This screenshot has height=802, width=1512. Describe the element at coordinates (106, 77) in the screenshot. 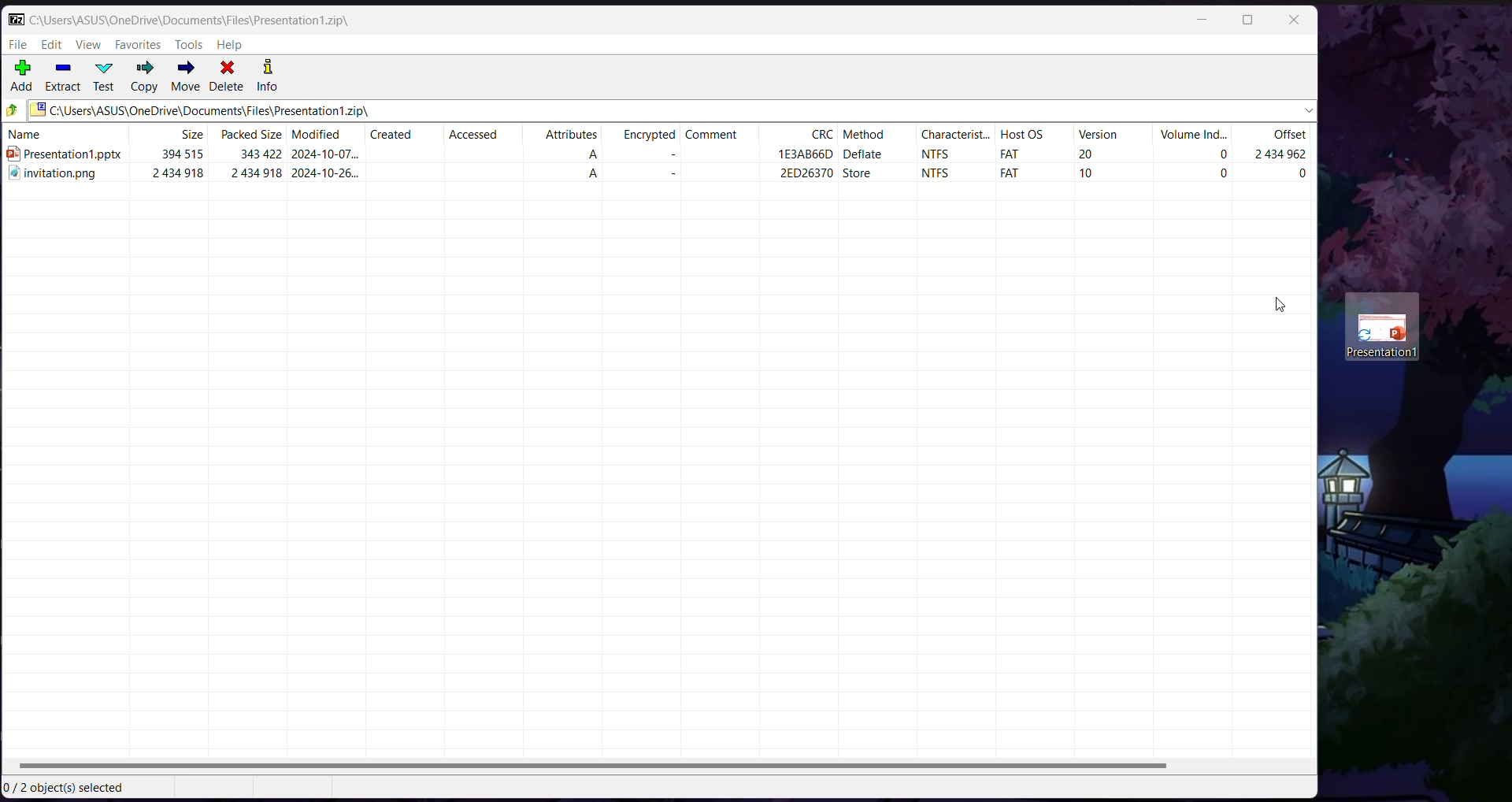

I see `Test` at that location.